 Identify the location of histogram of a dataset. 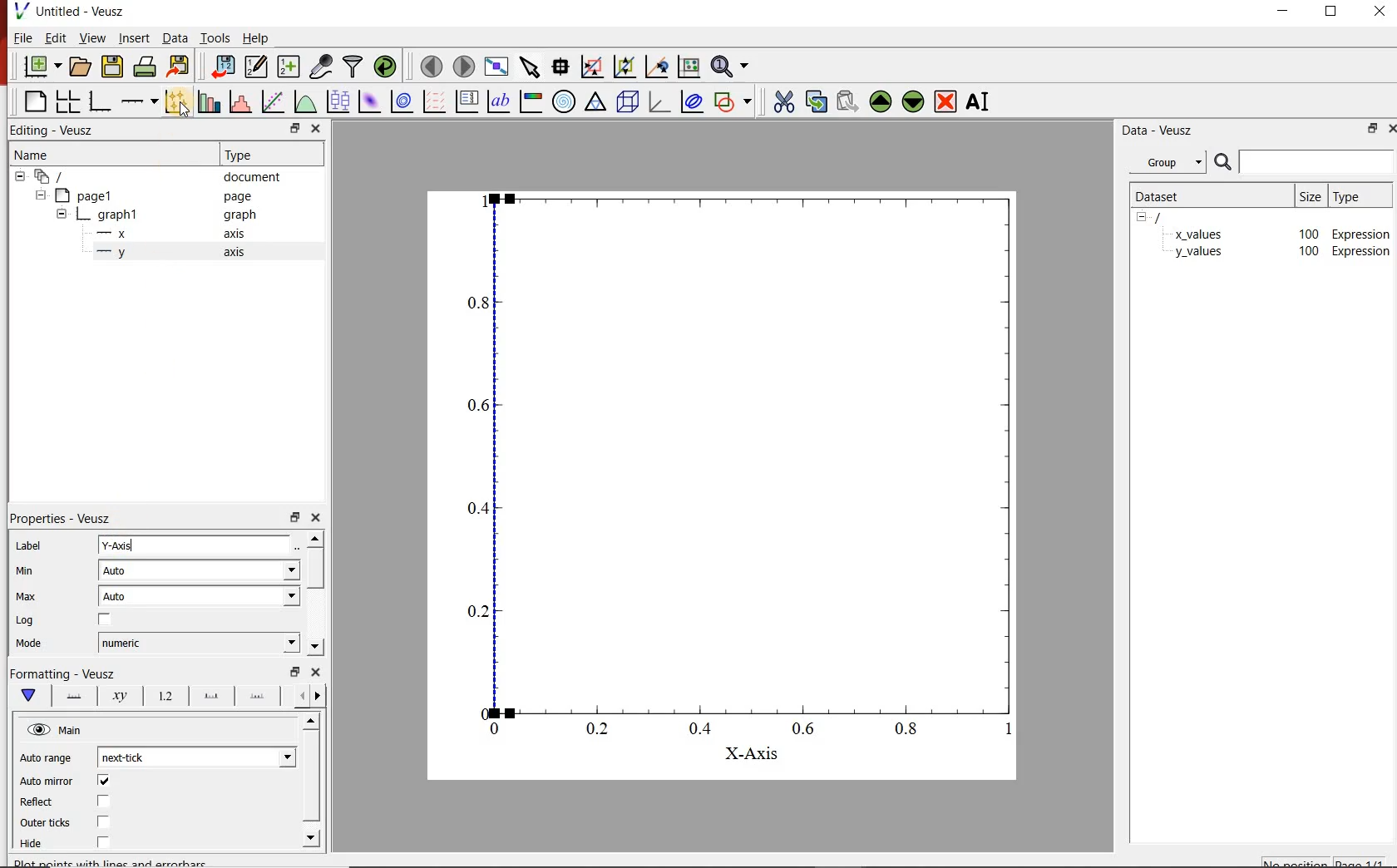
(241, 102).